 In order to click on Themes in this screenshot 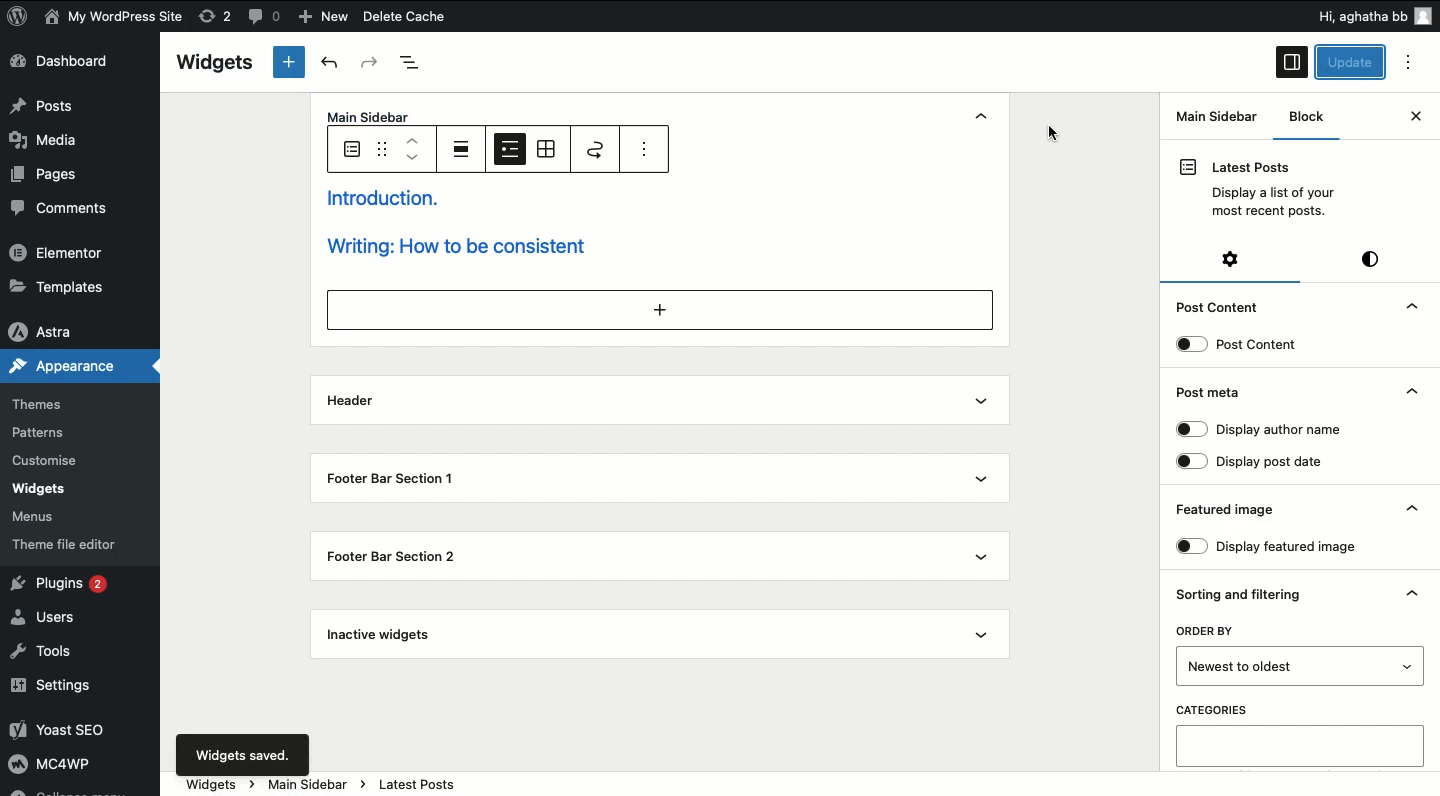, I will do `click(54, 404)`.